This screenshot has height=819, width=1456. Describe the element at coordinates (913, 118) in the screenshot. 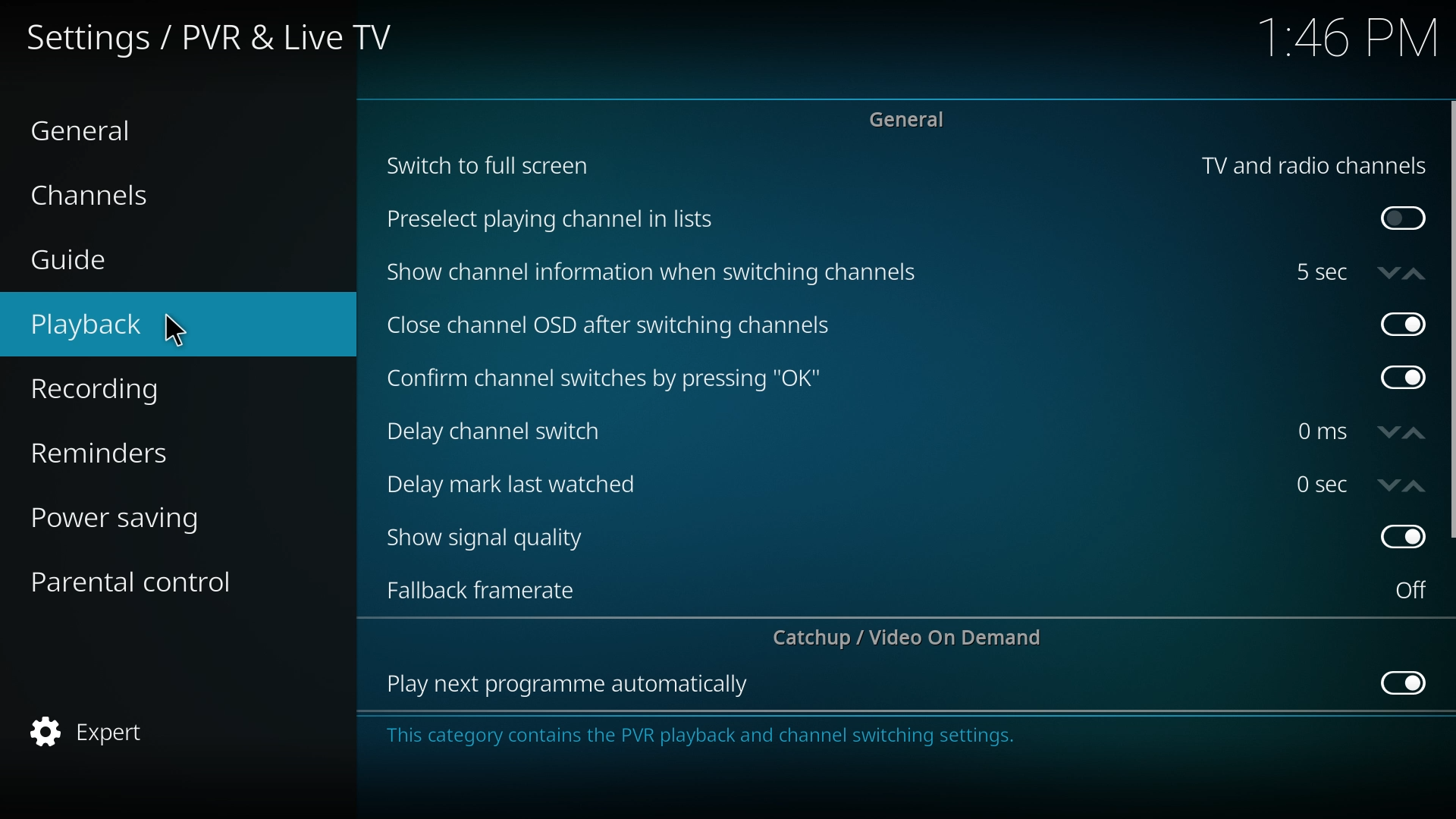

I see `general` at that location.